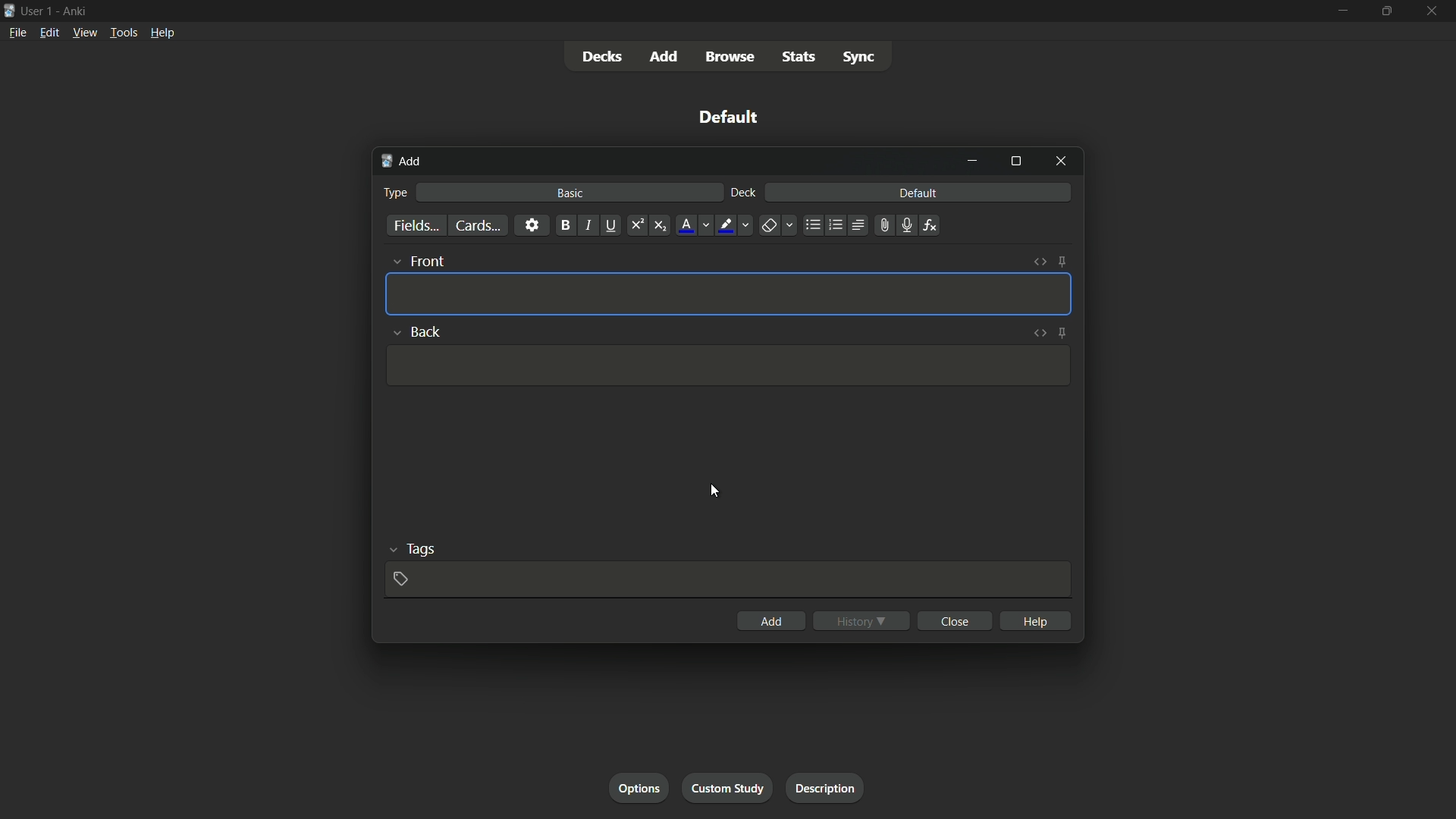  I want to click on close, so click(1061, 162).